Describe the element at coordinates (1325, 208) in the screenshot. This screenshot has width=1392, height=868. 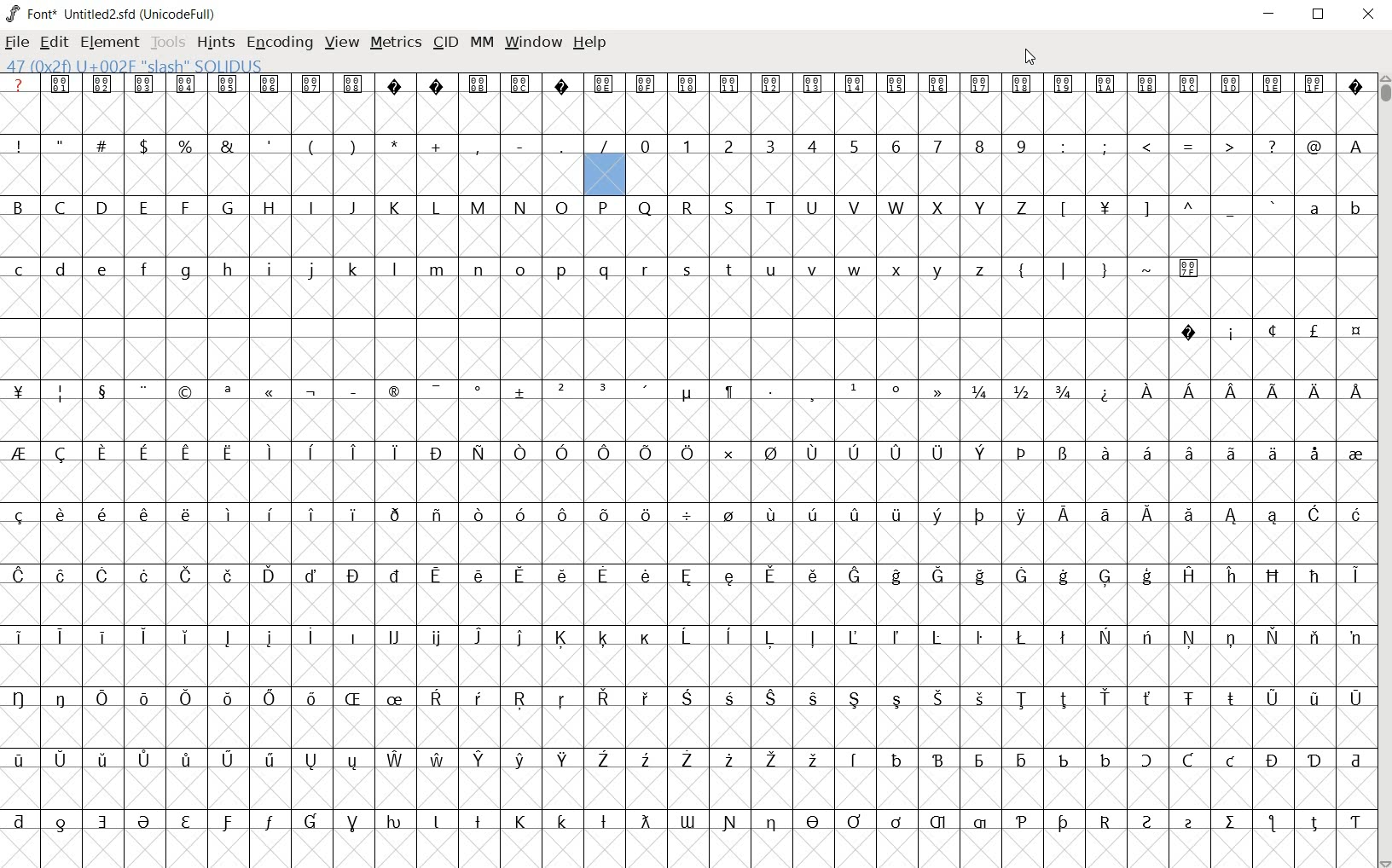
I see `small letters a - b` at that location.